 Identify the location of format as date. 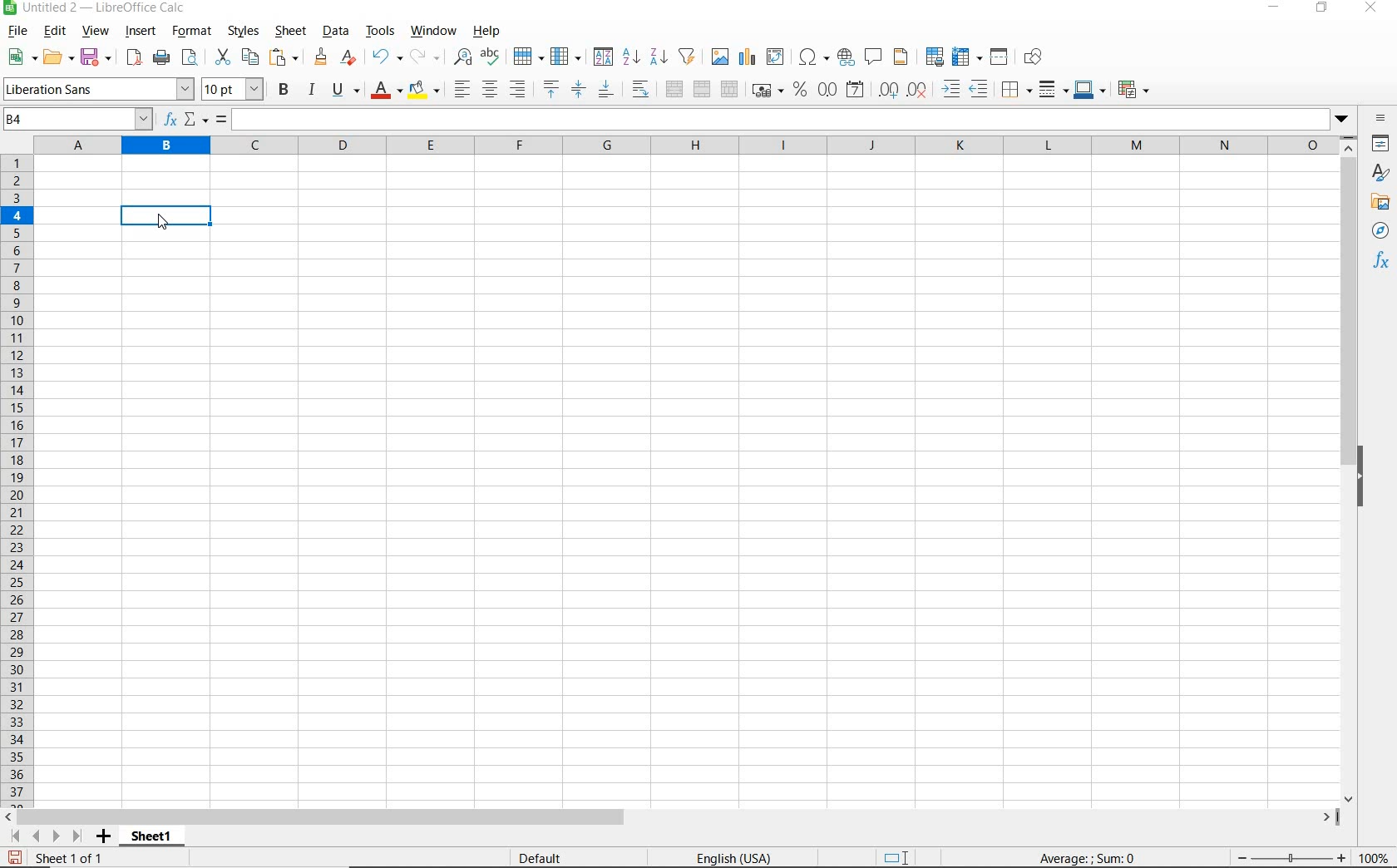
(857, 91).